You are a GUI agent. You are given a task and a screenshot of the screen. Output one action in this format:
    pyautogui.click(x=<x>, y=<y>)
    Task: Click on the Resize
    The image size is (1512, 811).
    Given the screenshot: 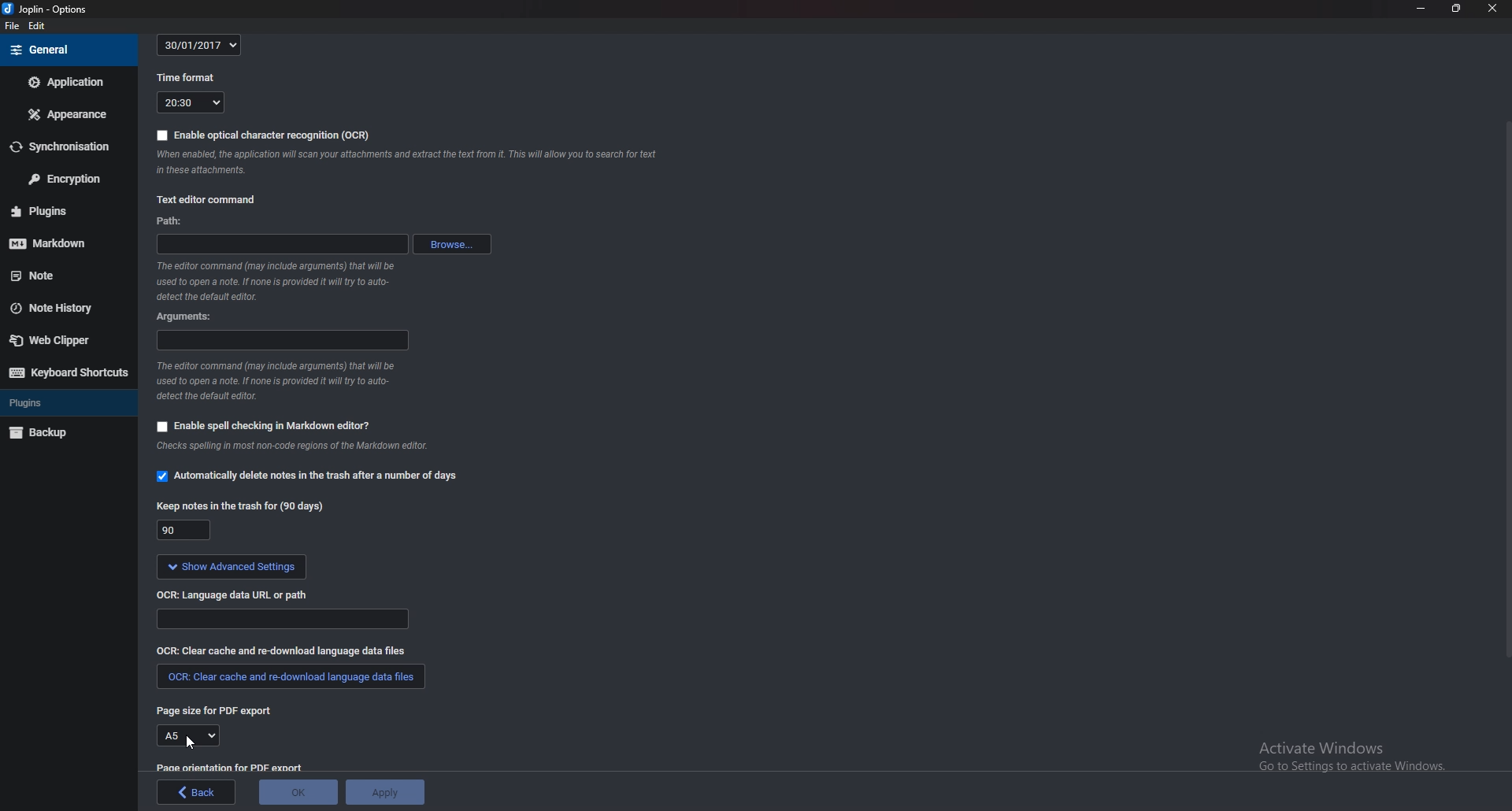 What is the action you would take?
    pyautogui.click(x=1456, y=9)
    